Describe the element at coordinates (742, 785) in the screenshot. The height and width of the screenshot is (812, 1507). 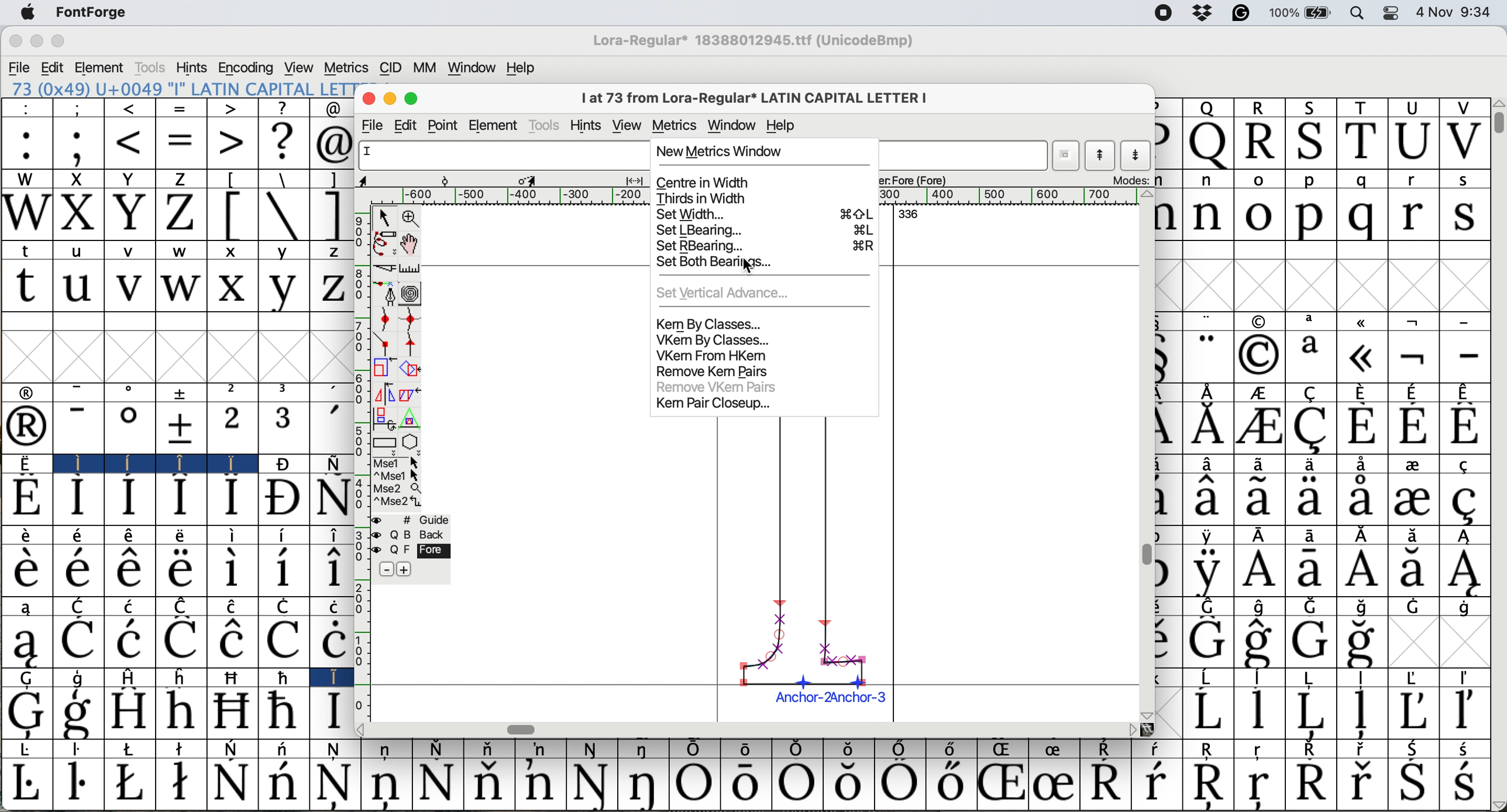
I see `Symbol` at that location.